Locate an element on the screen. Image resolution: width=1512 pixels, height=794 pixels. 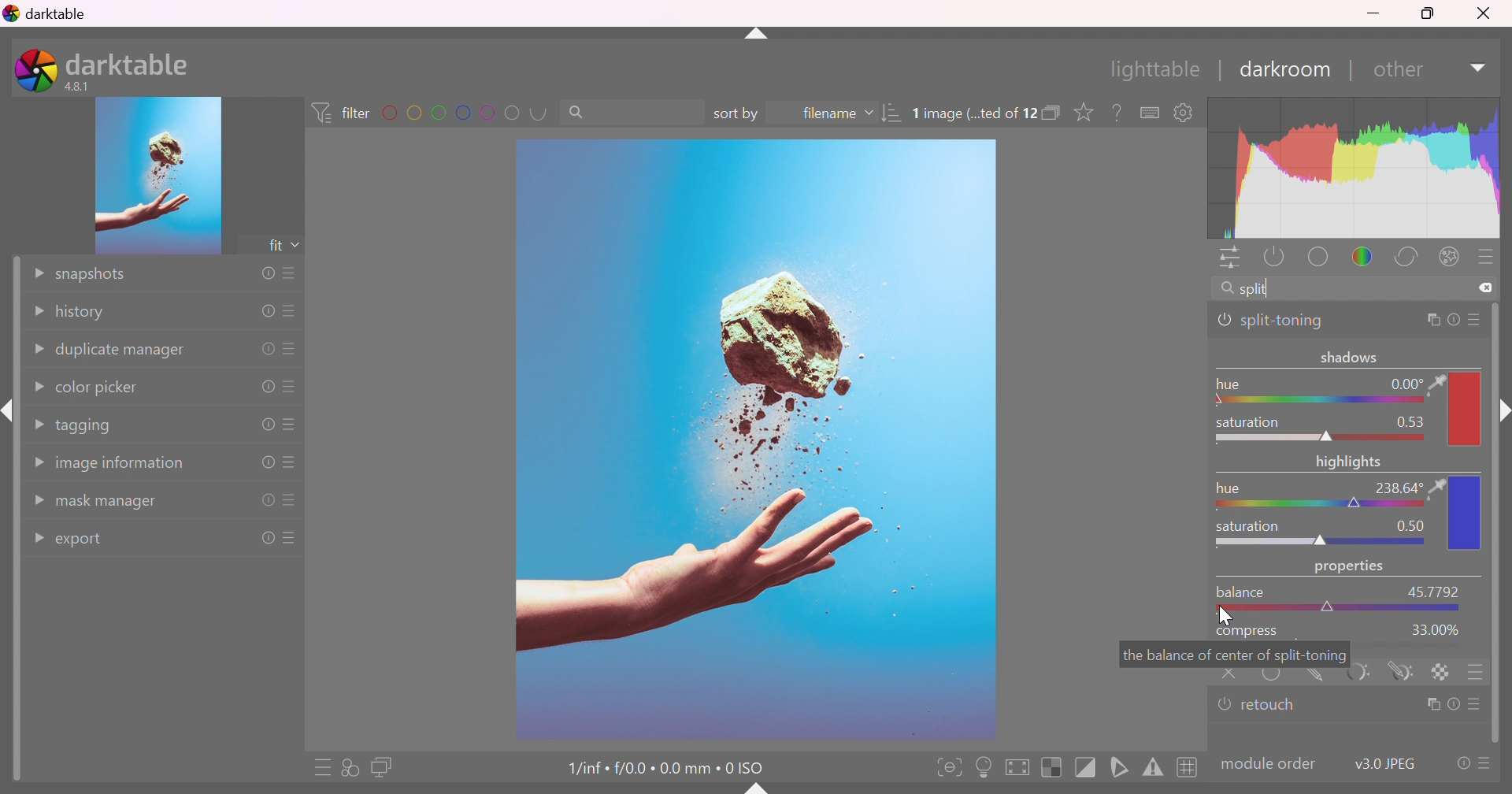
toggle clipping indication is located at coordinates (1086, 768).